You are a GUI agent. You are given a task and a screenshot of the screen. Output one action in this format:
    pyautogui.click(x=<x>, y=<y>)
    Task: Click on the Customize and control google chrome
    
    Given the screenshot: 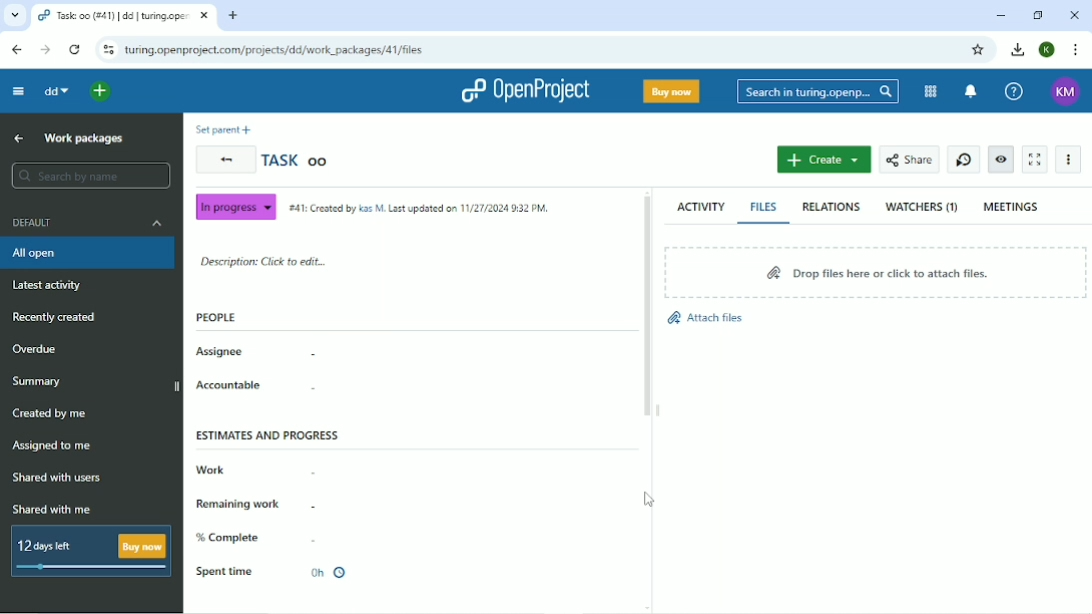 What is the action you would take?
    pyautogui.click(x=1074, y=50)
    